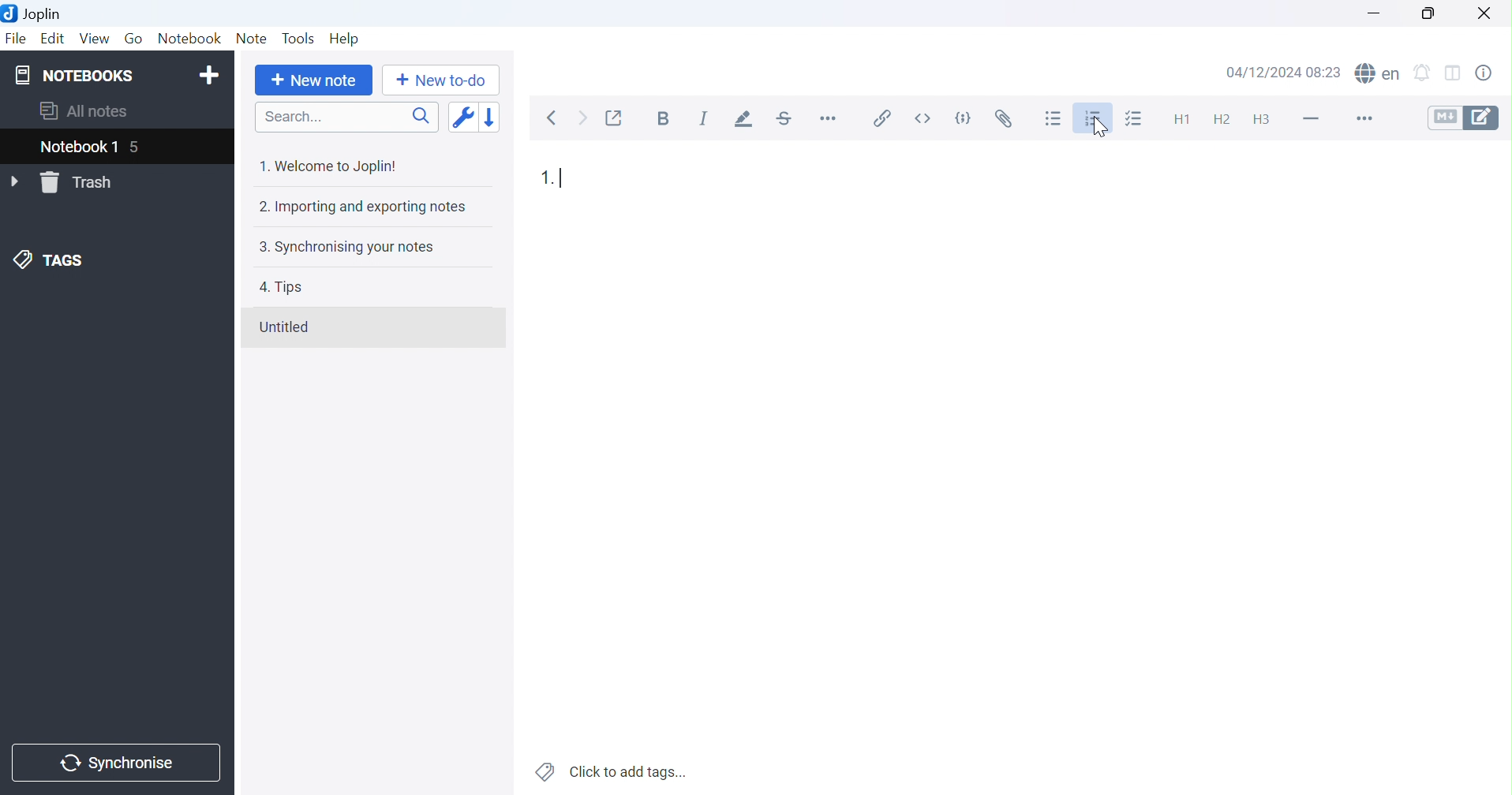 Image resolution: width=1512 pixels, height=795 pixels. What do you see at coordinates (1221, 117) in the screenshot?
I see `Heading 2` at bounding box center [1221, 117].